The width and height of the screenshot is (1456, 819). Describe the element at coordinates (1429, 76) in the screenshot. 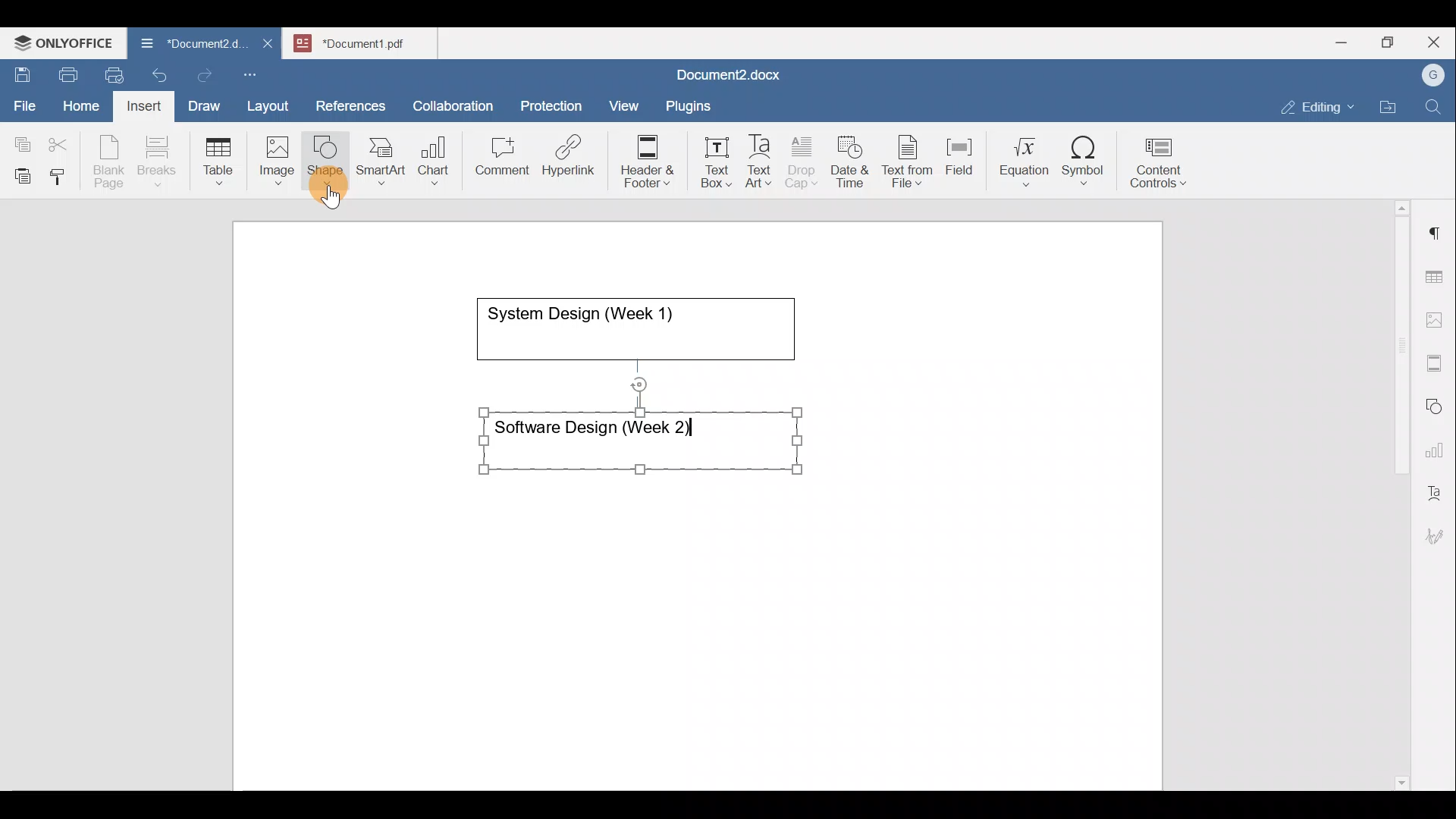

I see `Account name` at that location.